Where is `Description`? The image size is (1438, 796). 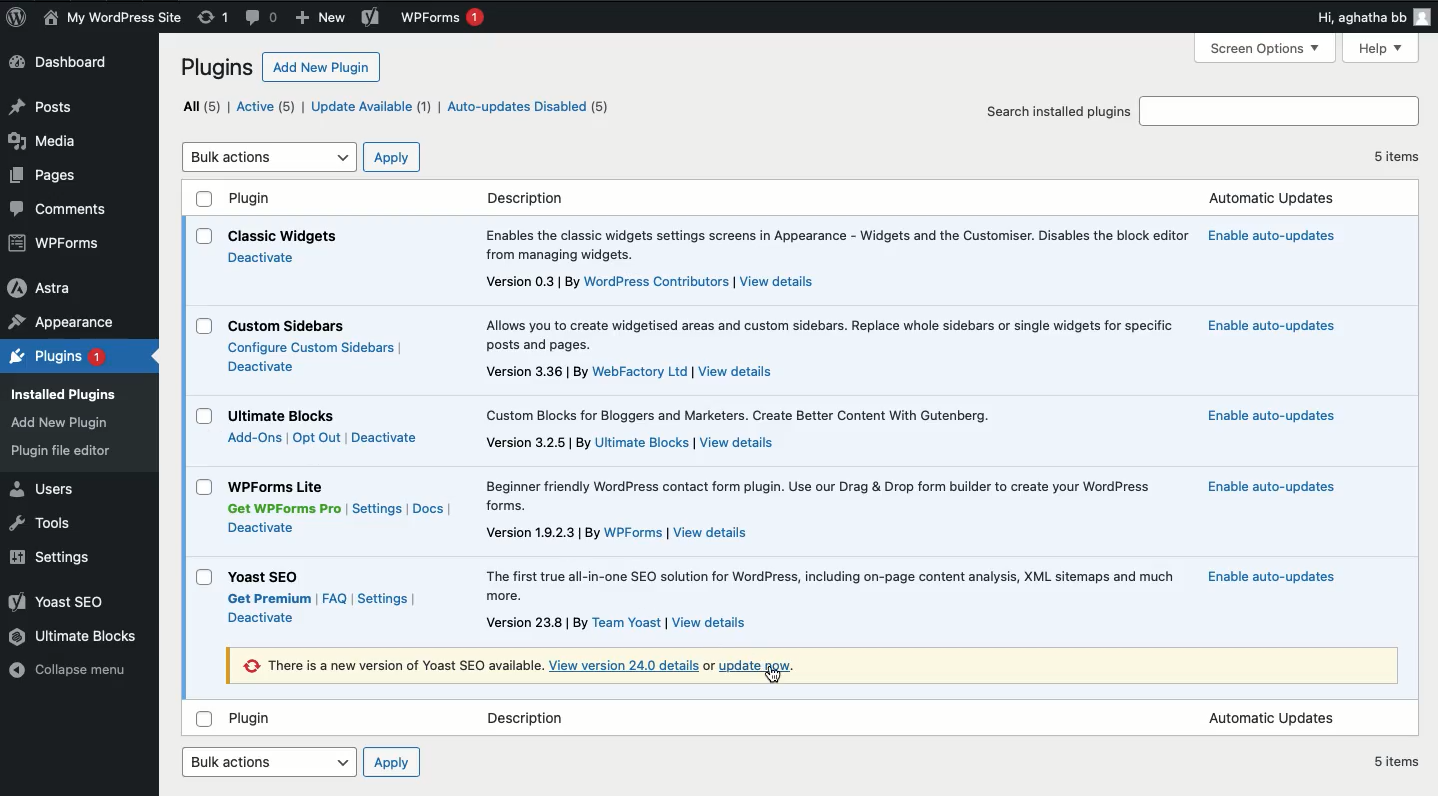 Description is located at coordinates (617, 533).